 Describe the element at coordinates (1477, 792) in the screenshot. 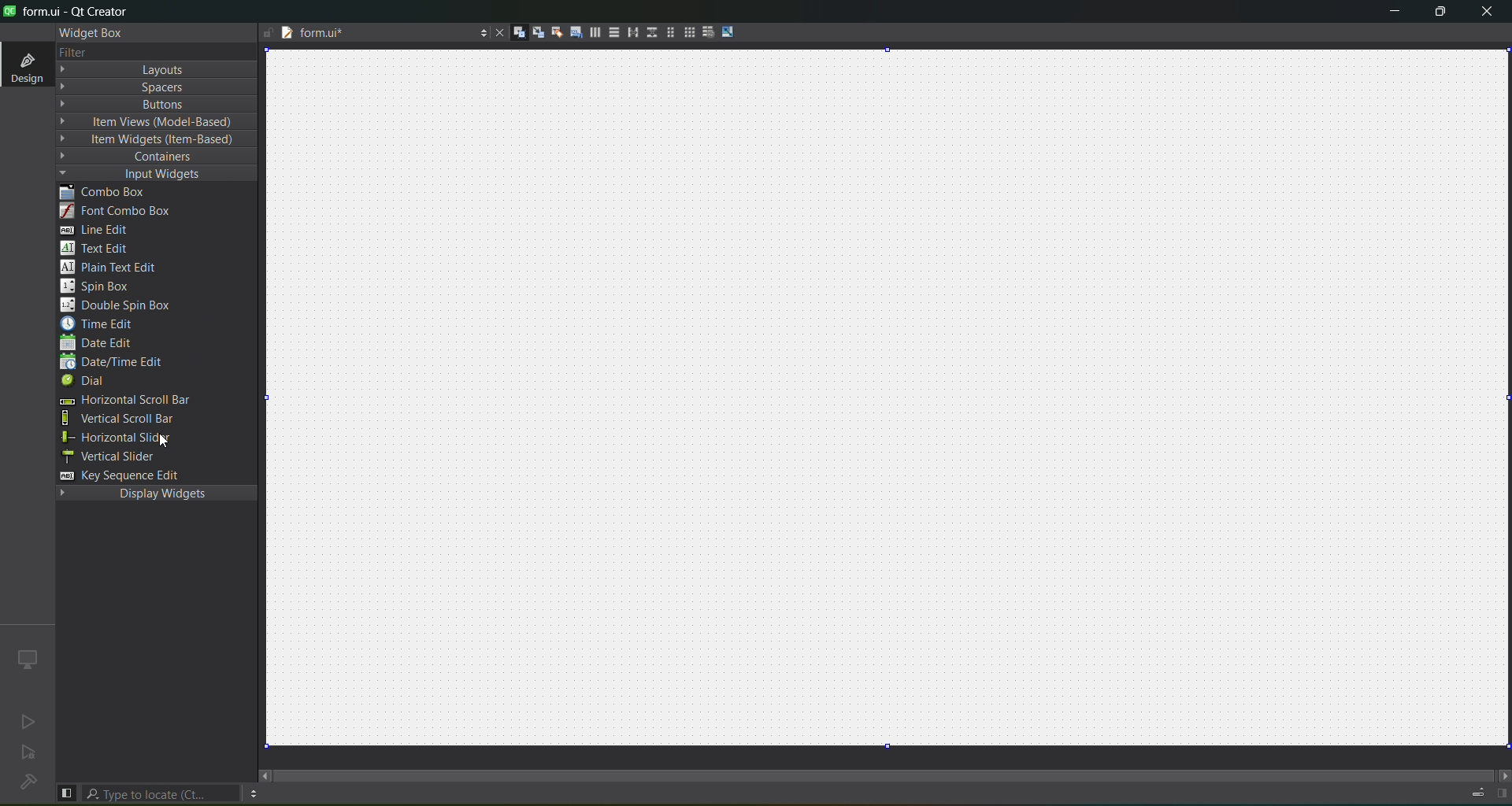

I see `progress details` at that location.